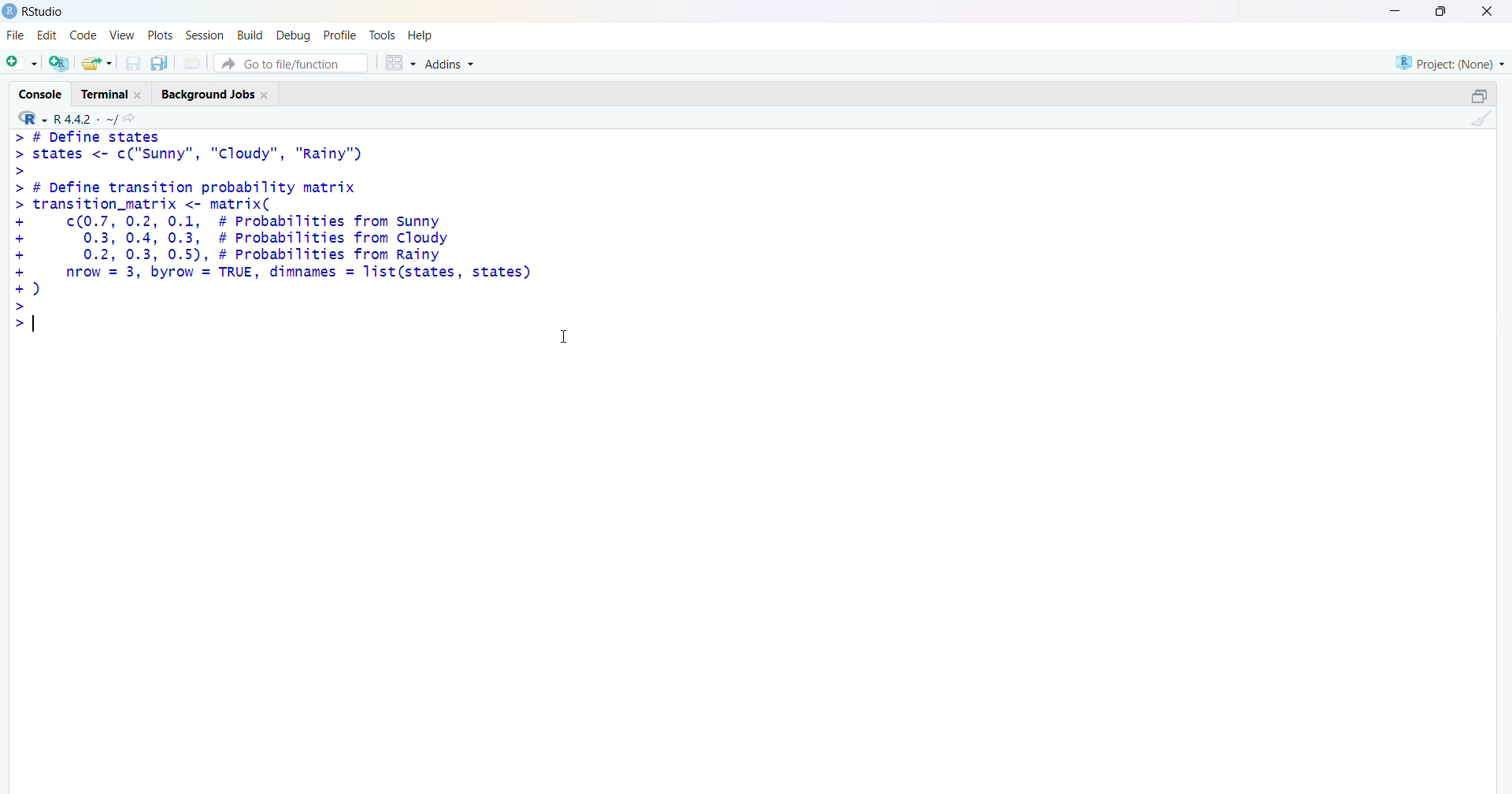 Image resolution: width=1512 pixels, height=794 pixels. Describe the element at coordinates (122, 34) in the screenshot. I see `view` at that location.